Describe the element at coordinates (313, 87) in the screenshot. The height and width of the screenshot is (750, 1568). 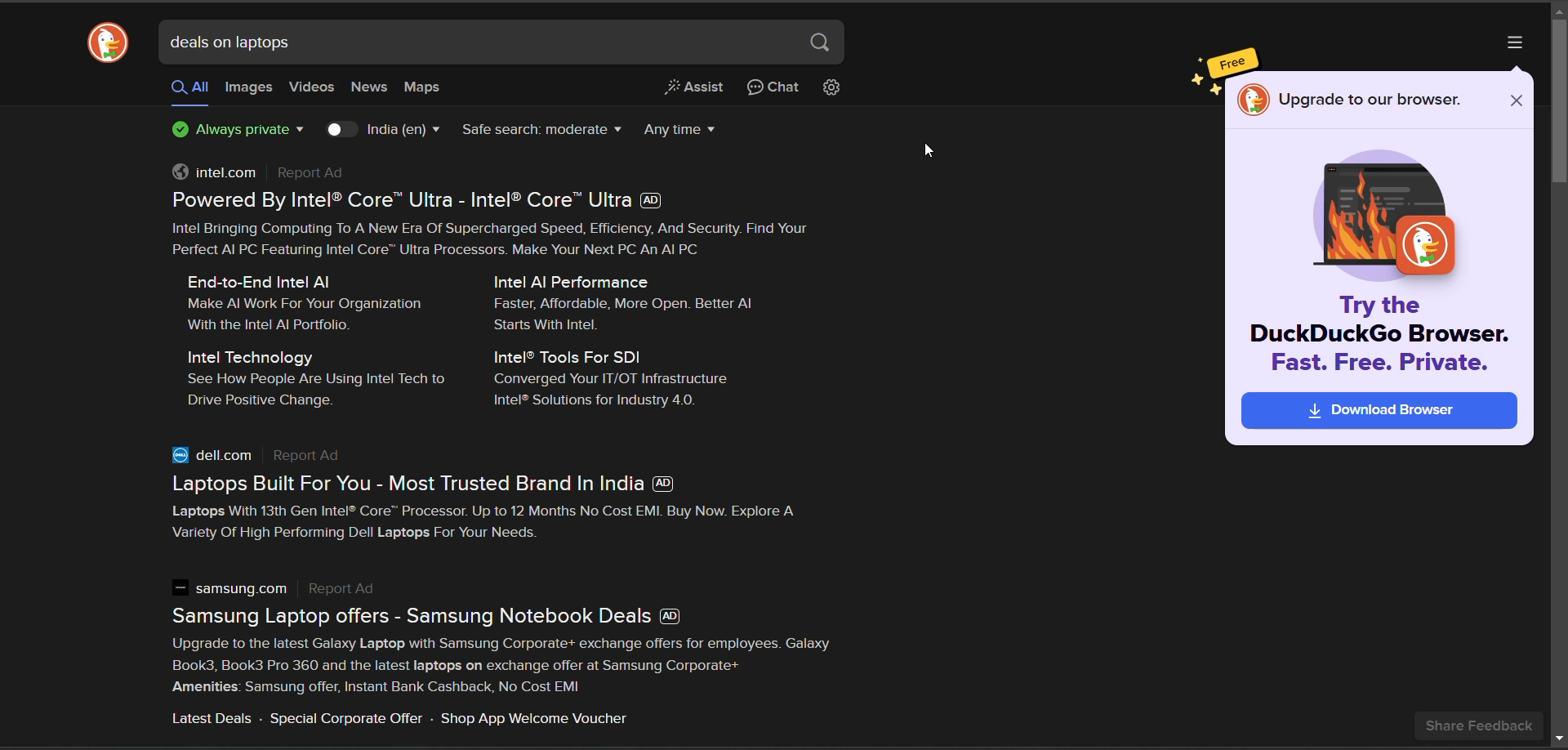
I see `videos` at that location.